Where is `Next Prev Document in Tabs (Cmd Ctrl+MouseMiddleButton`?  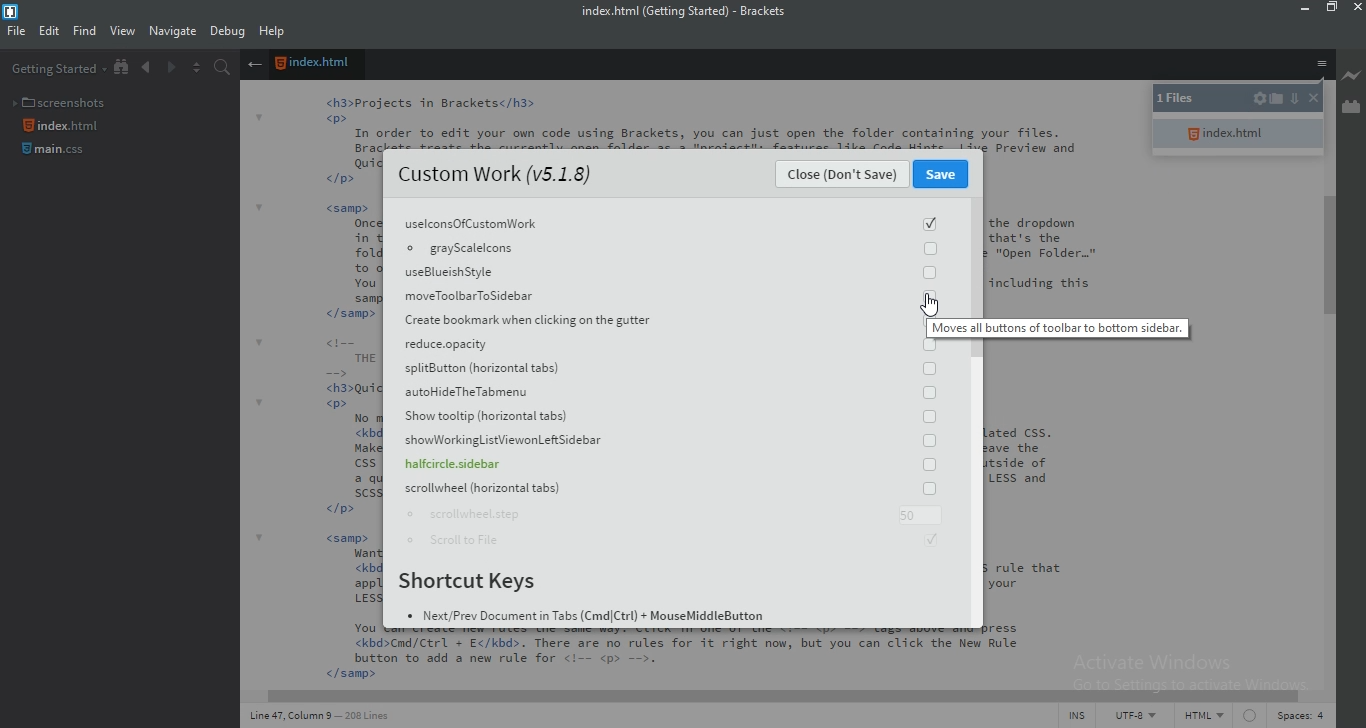 Next Prev Document in Tabs (Cmd Ctrl+MouseMiddleButton is located at coordinates (588, 619).